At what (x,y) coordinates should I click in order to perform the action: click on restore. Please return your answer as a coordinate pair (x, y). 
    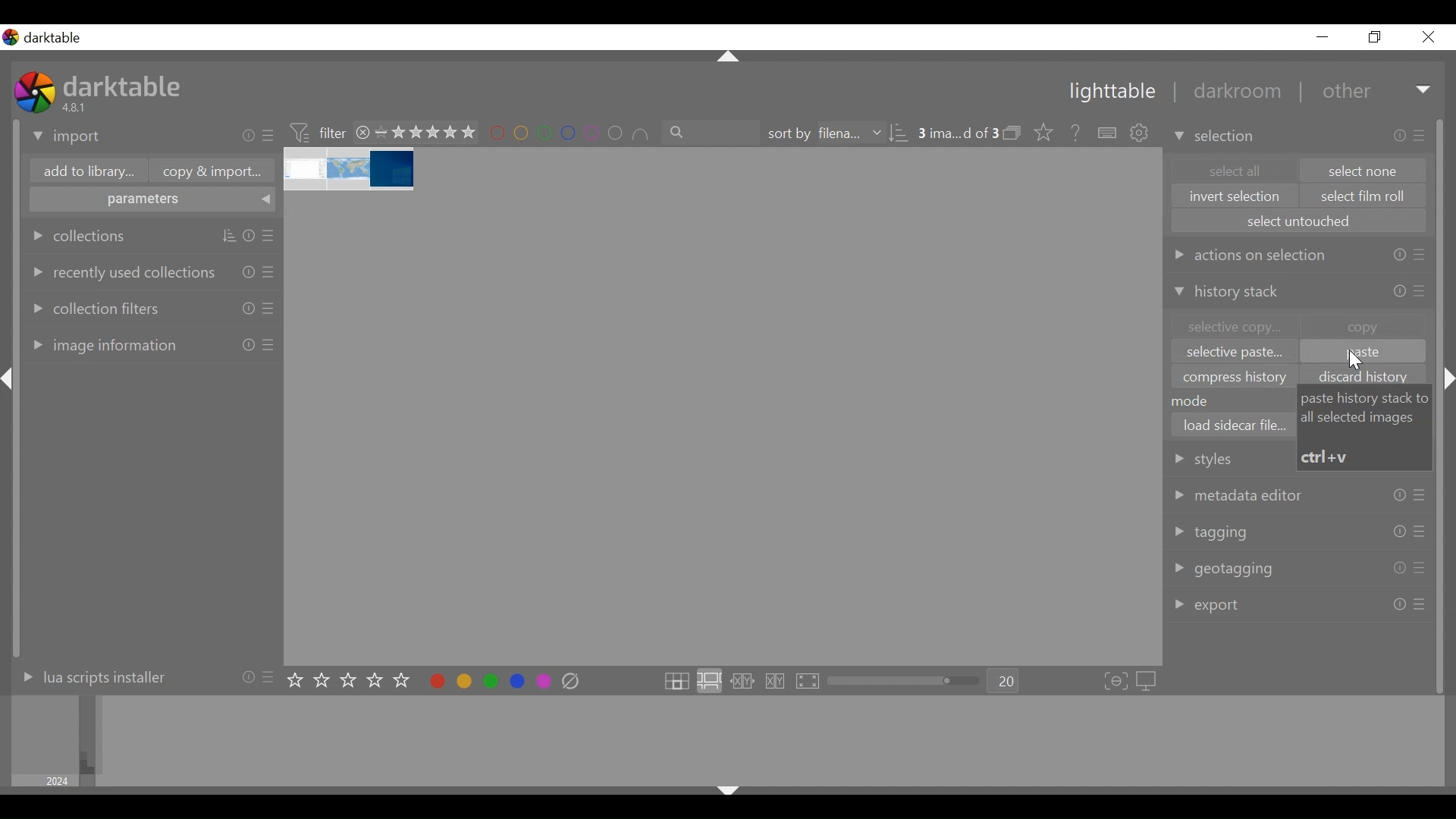
    Looking at the image, I should click on (1373, 37).